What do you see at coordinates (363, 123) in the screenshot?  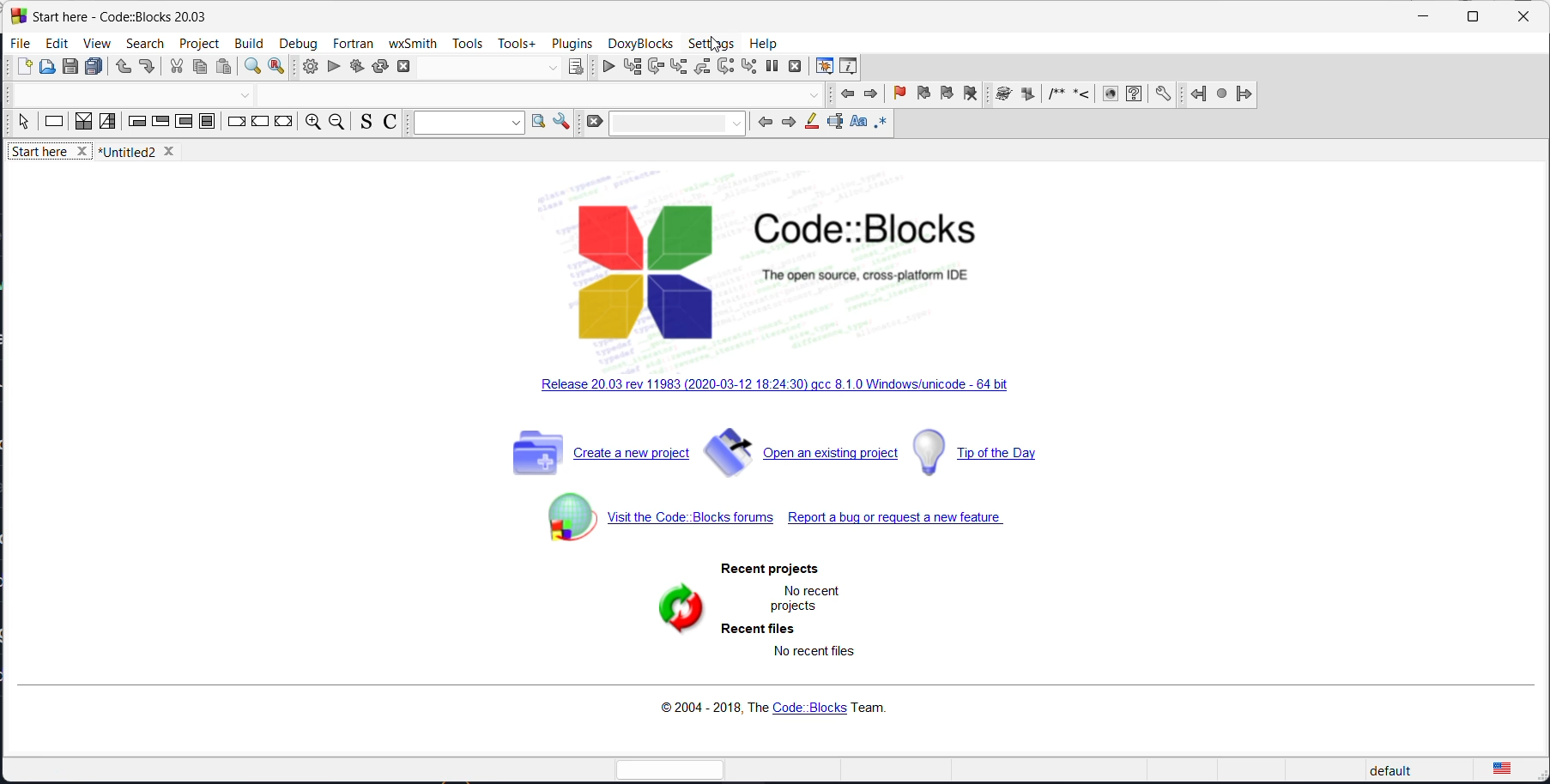 I see `source comment` at bounding box center [363, 123].